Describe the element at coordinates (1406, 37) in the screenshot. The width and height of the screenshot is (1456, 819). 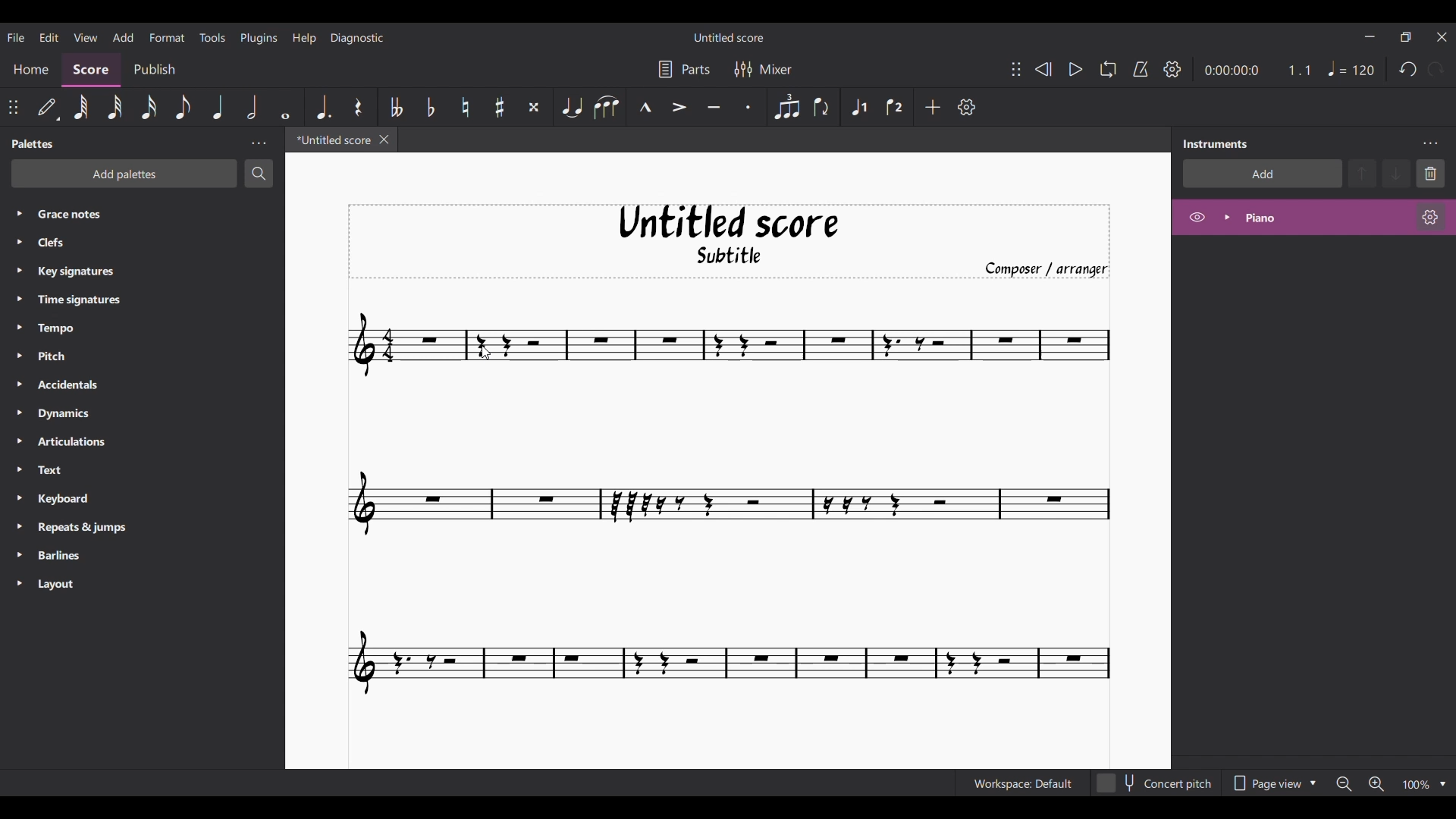
I see `Show interface in a smaller tab` at that location.